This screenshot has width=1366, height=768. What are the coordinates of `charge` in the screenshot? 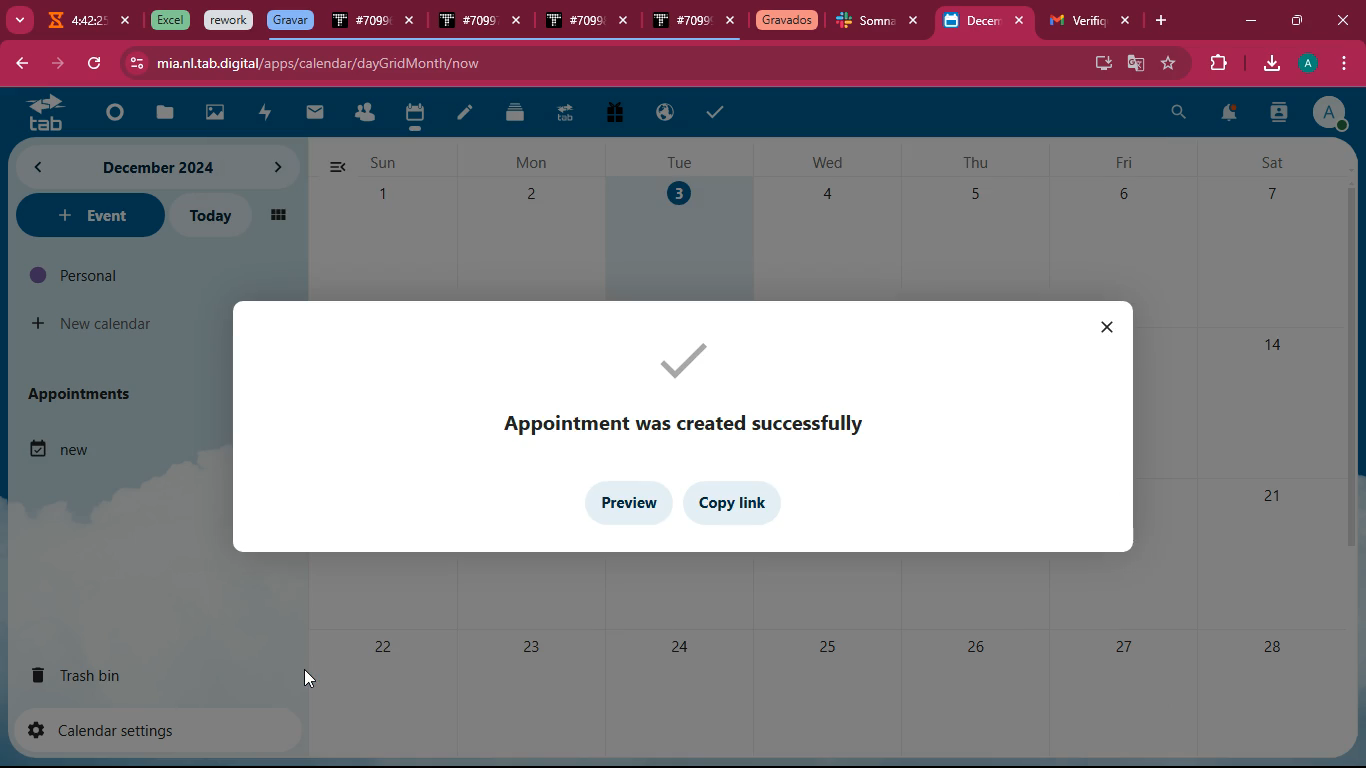 It's located at (264, 114).